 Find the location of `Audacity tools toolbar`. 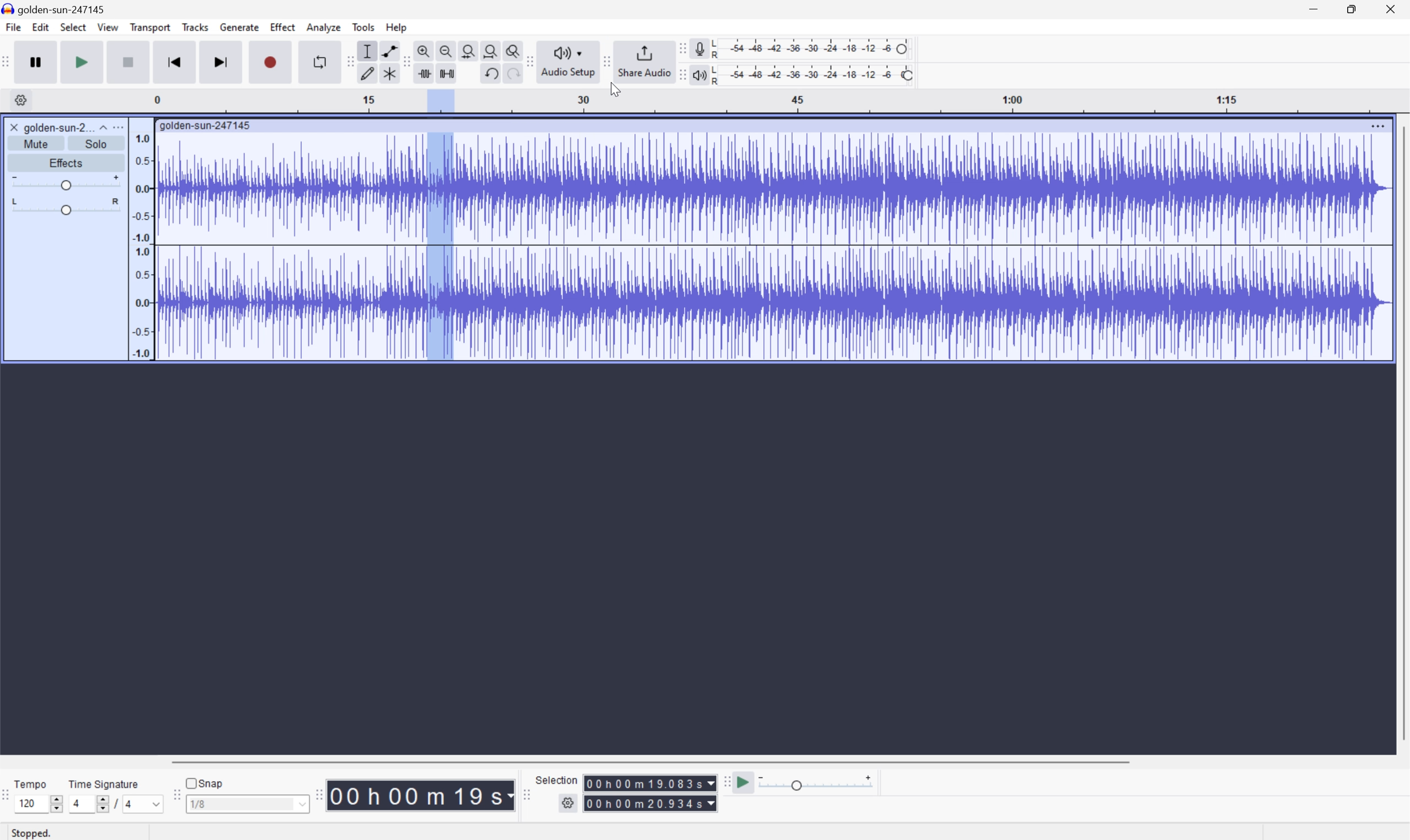

Audacity tools toolbar is located at coordinates (403, 61).